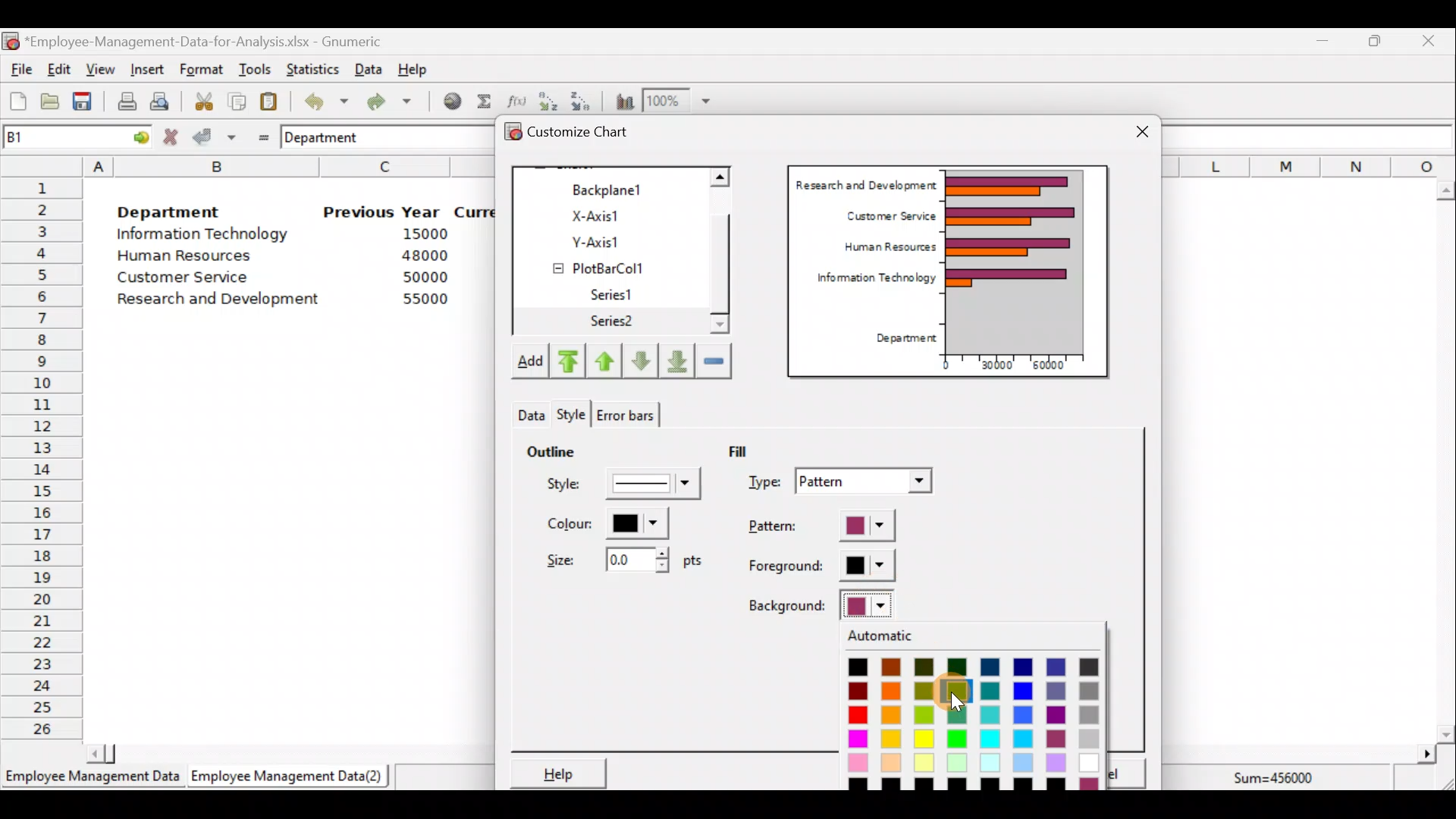 The image size is (1456, 819). I want to click on Help, so click(556, 773).